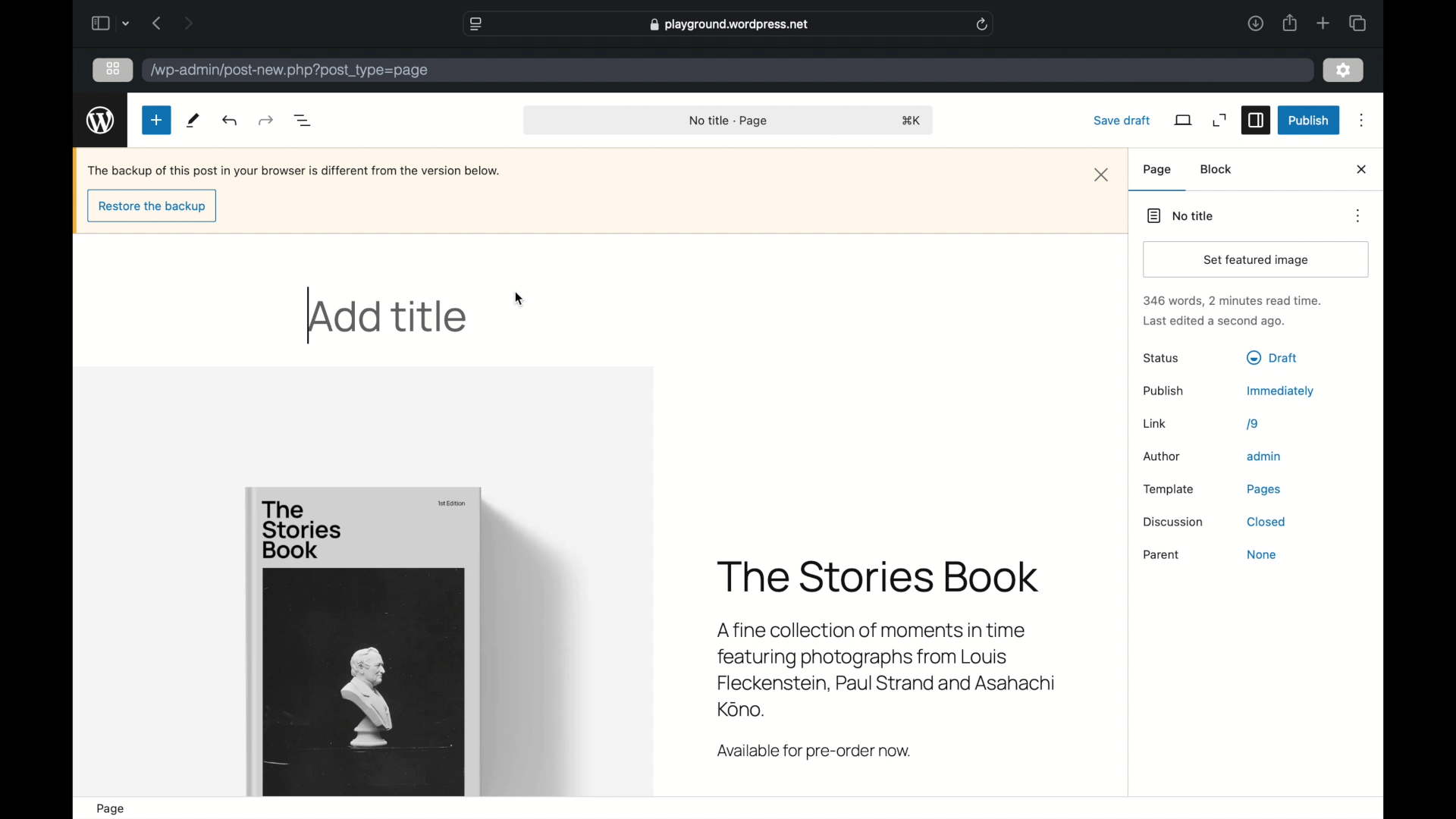  Describe the element at coordinates (521, 300) in the screenshot. I see `cursor` at that location.